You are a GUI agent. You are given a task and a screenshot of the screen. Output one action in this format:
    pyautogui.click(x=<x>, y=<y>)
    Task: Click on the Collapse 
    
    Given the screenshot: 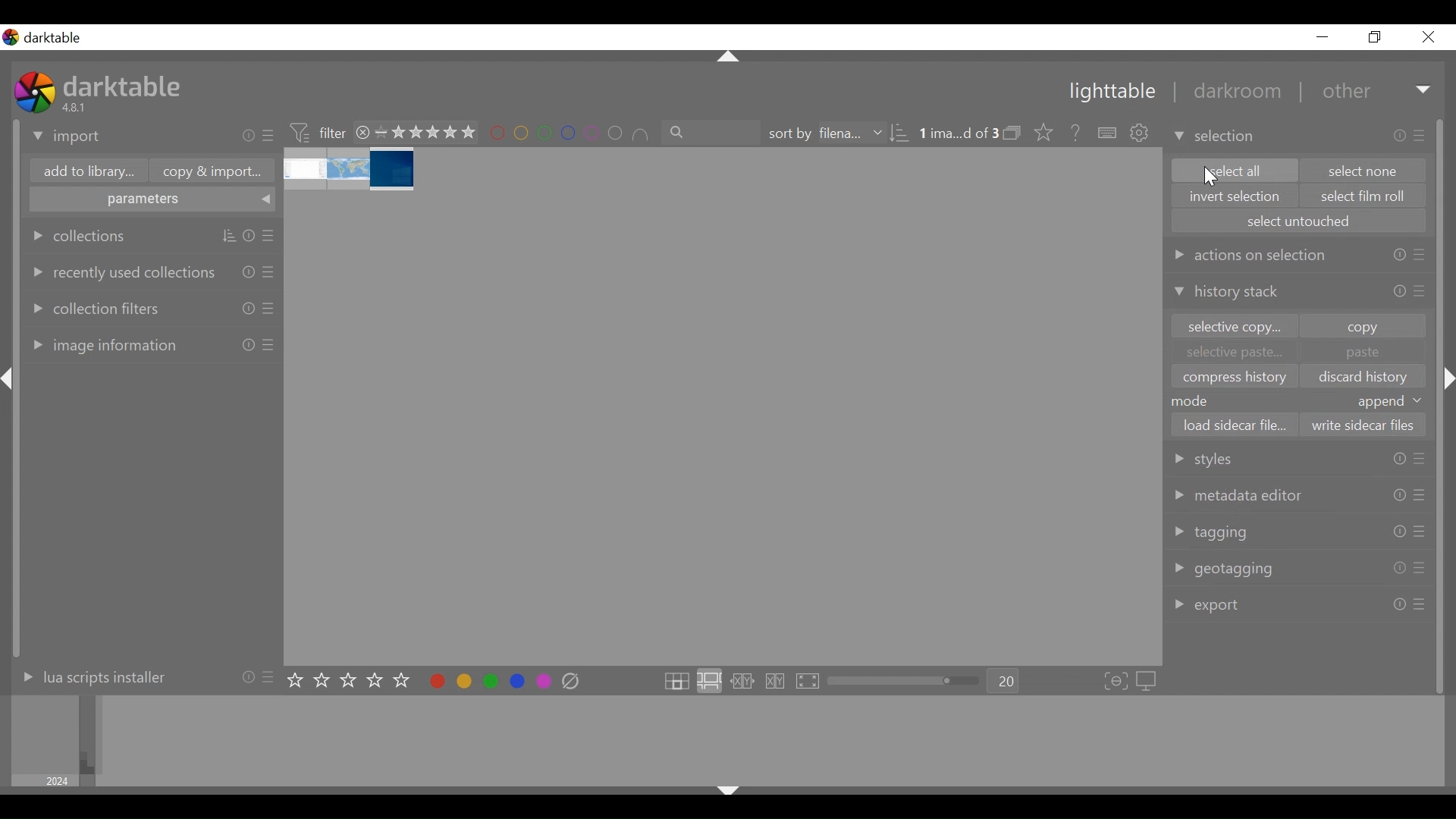 What is the action you would take?
    pyautogui.click(x=11, y=379)
    